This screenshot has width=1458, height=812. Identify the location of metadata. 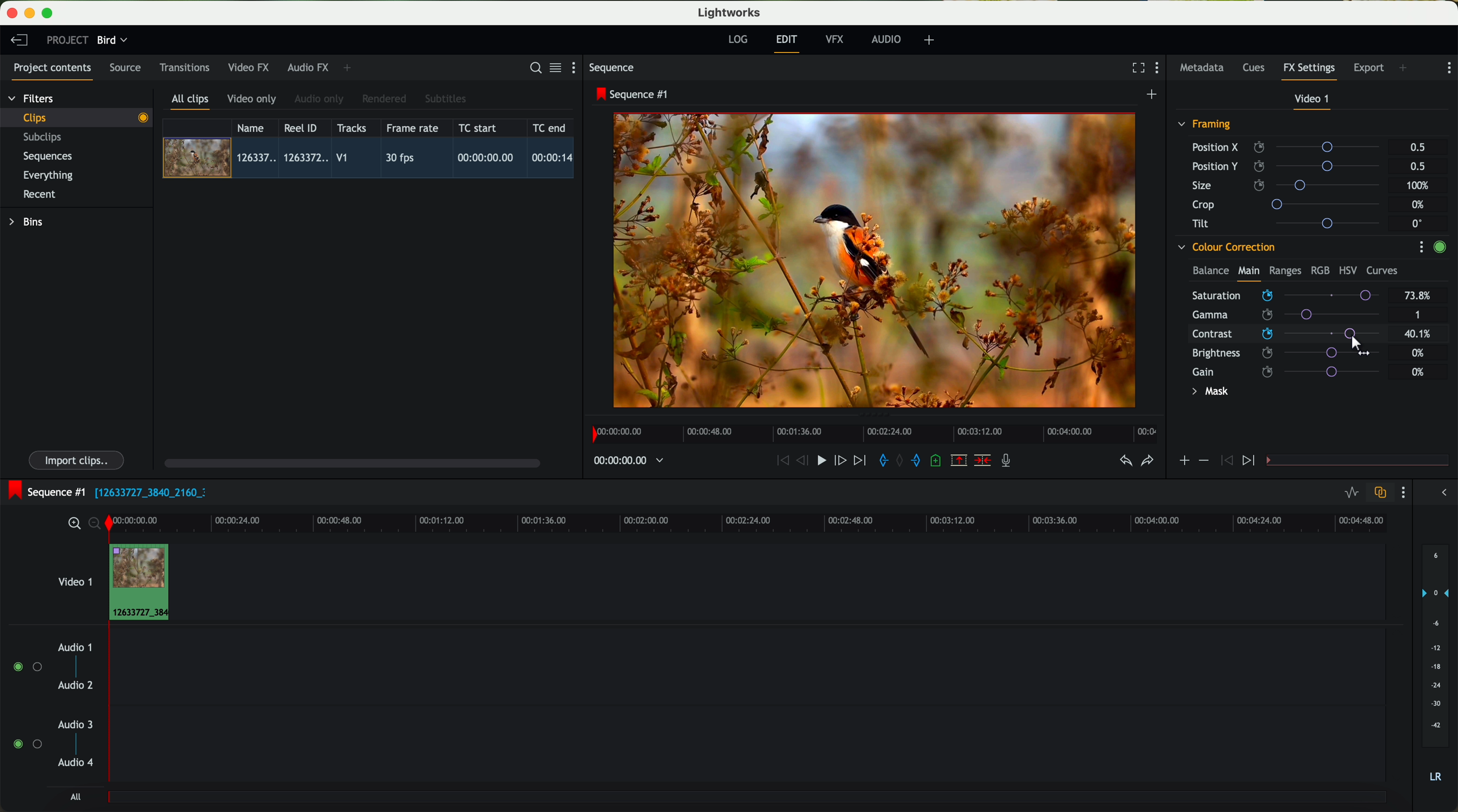
(1204, 68).